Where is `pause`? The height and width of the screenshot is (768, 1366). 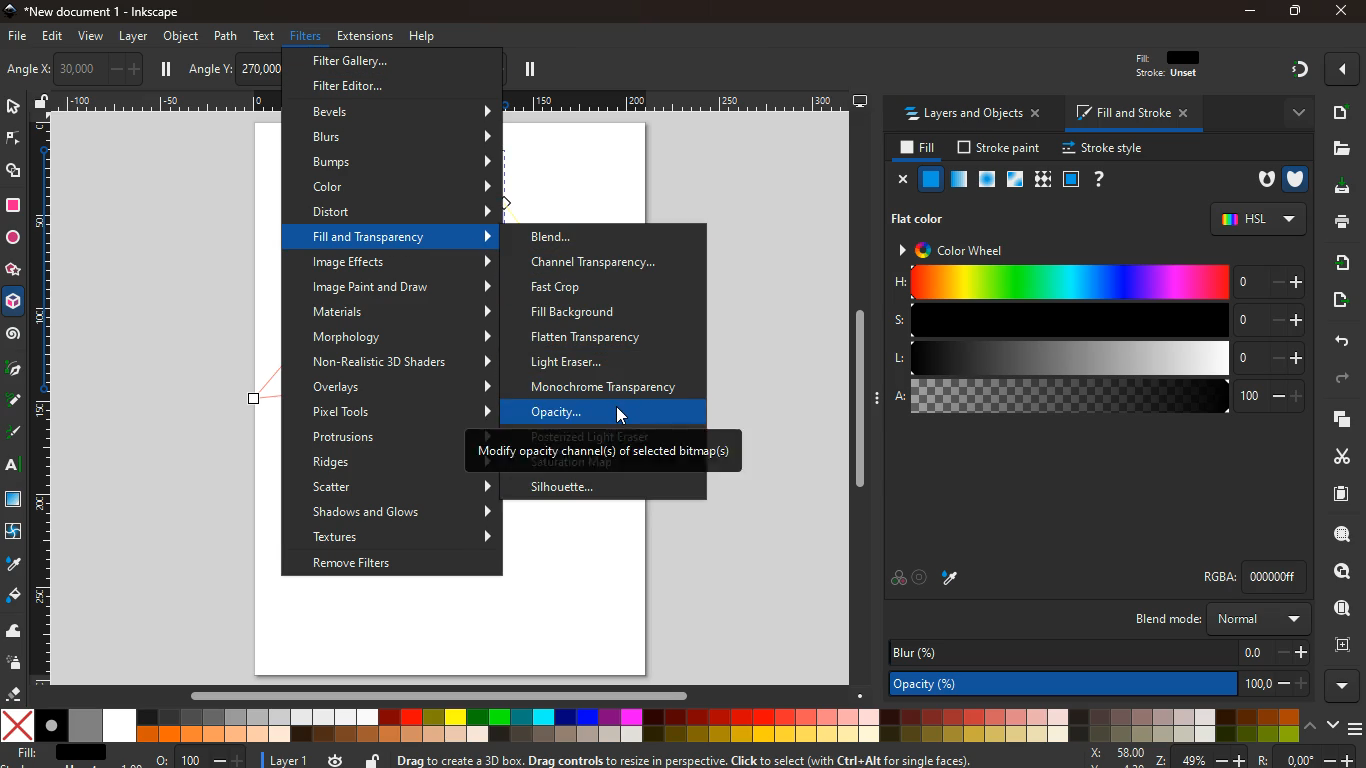 pause is located at coordinates (168, 69).